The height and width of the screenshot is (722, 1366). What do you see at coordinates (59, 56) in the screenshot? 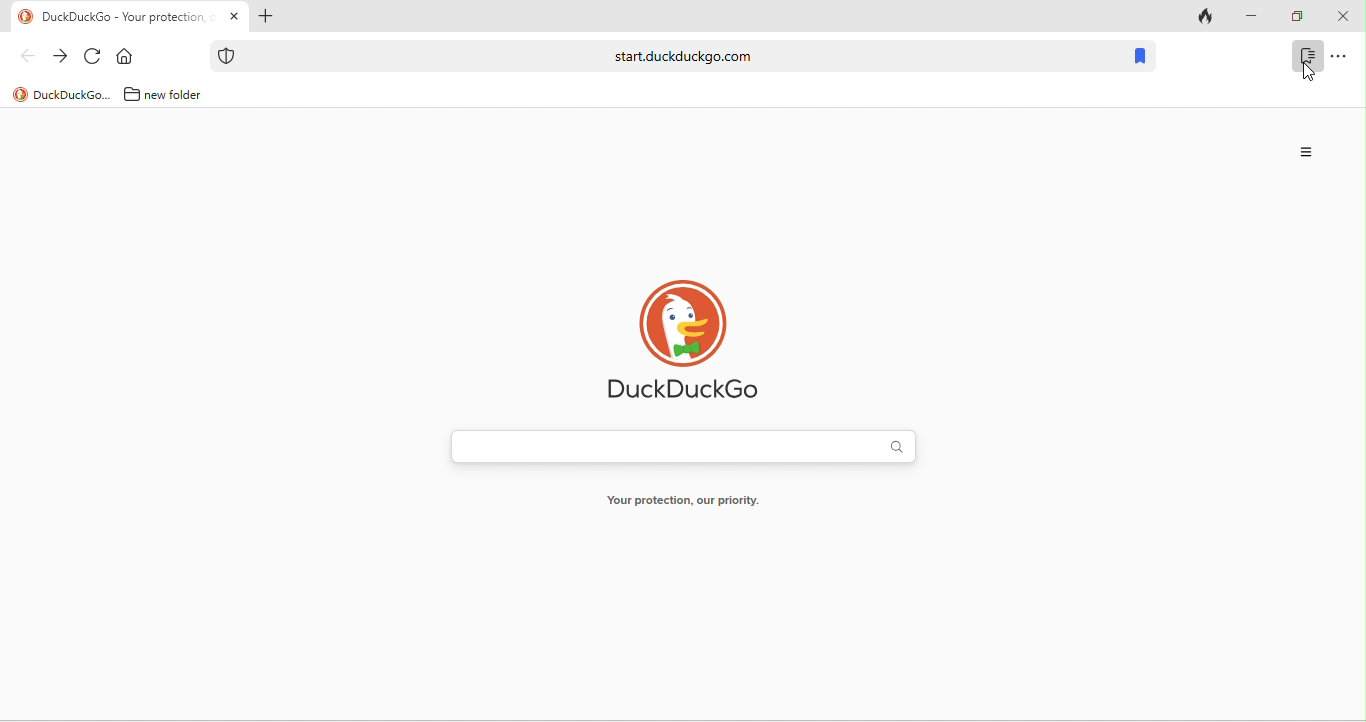
I see `forward` at bounding box center [59, 56].